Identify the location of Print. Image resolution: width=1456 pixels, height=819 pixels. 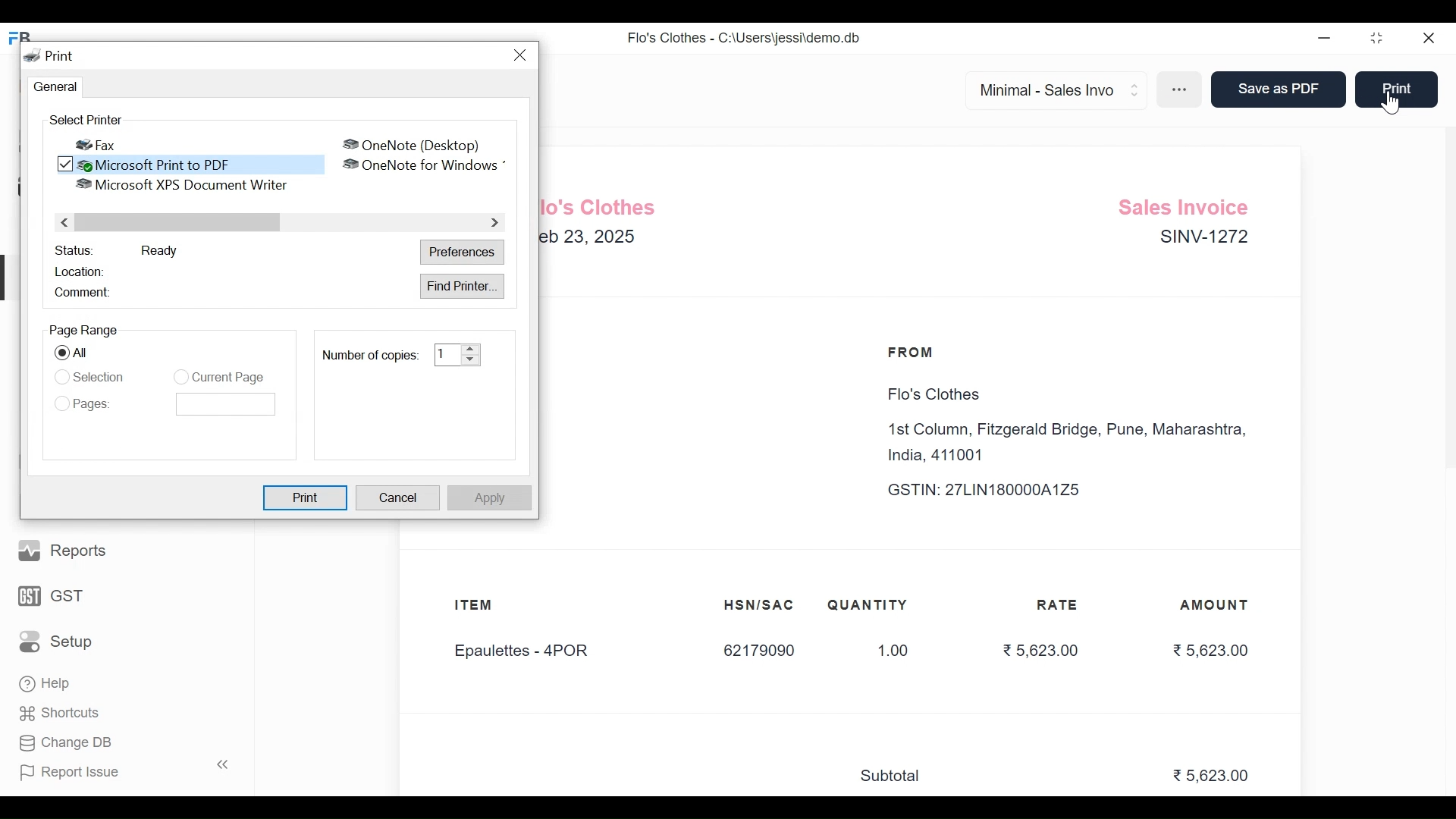
(307, 497).